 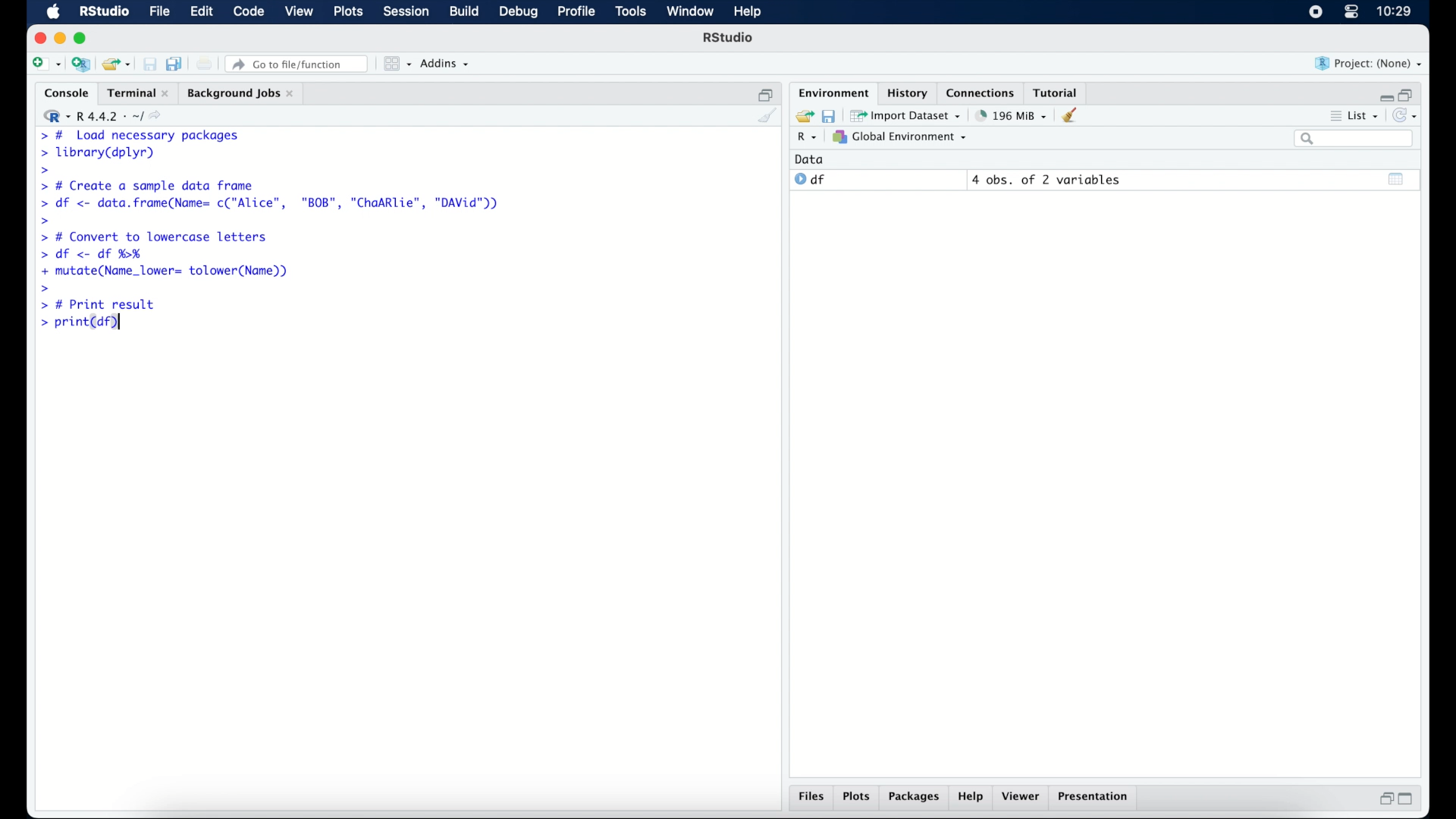 What do you see at coordinates (463, 12) in the screenshot?
I see `build` at bounding box center [463, 12].